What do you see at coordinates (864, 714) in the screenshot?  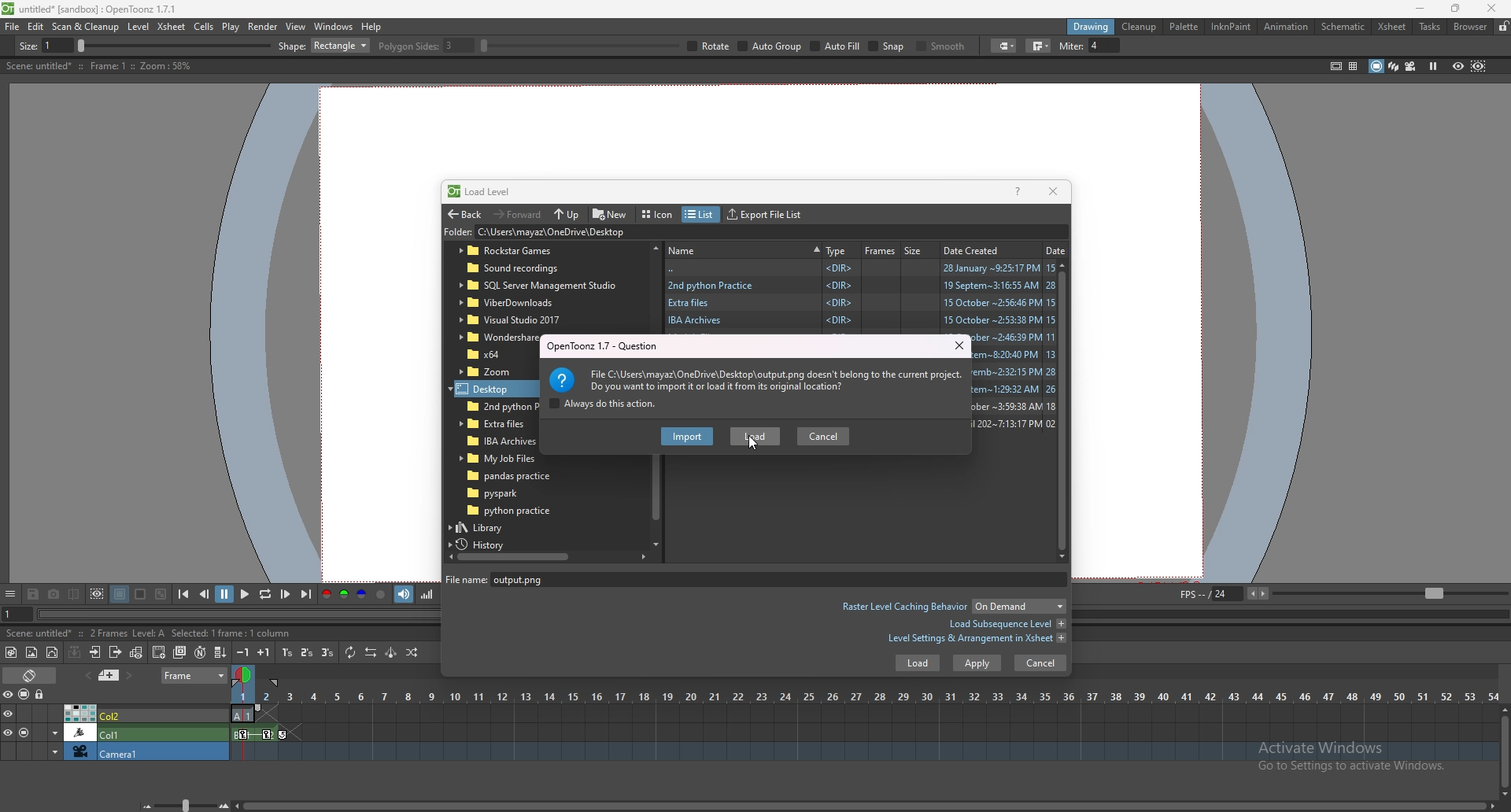 I see `timeline` at bounding box center [864, 714].